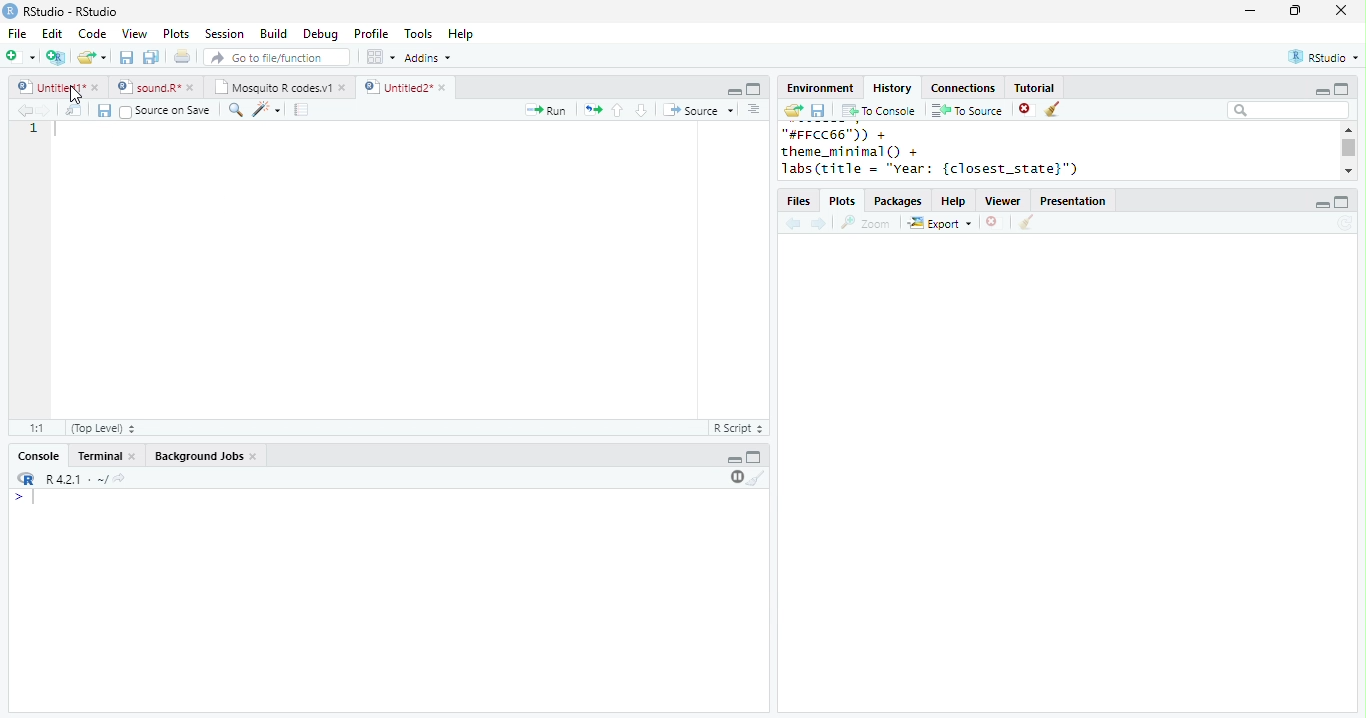 This screenshot has height=718, width=1366. I want to click on close, so click(256, 457).